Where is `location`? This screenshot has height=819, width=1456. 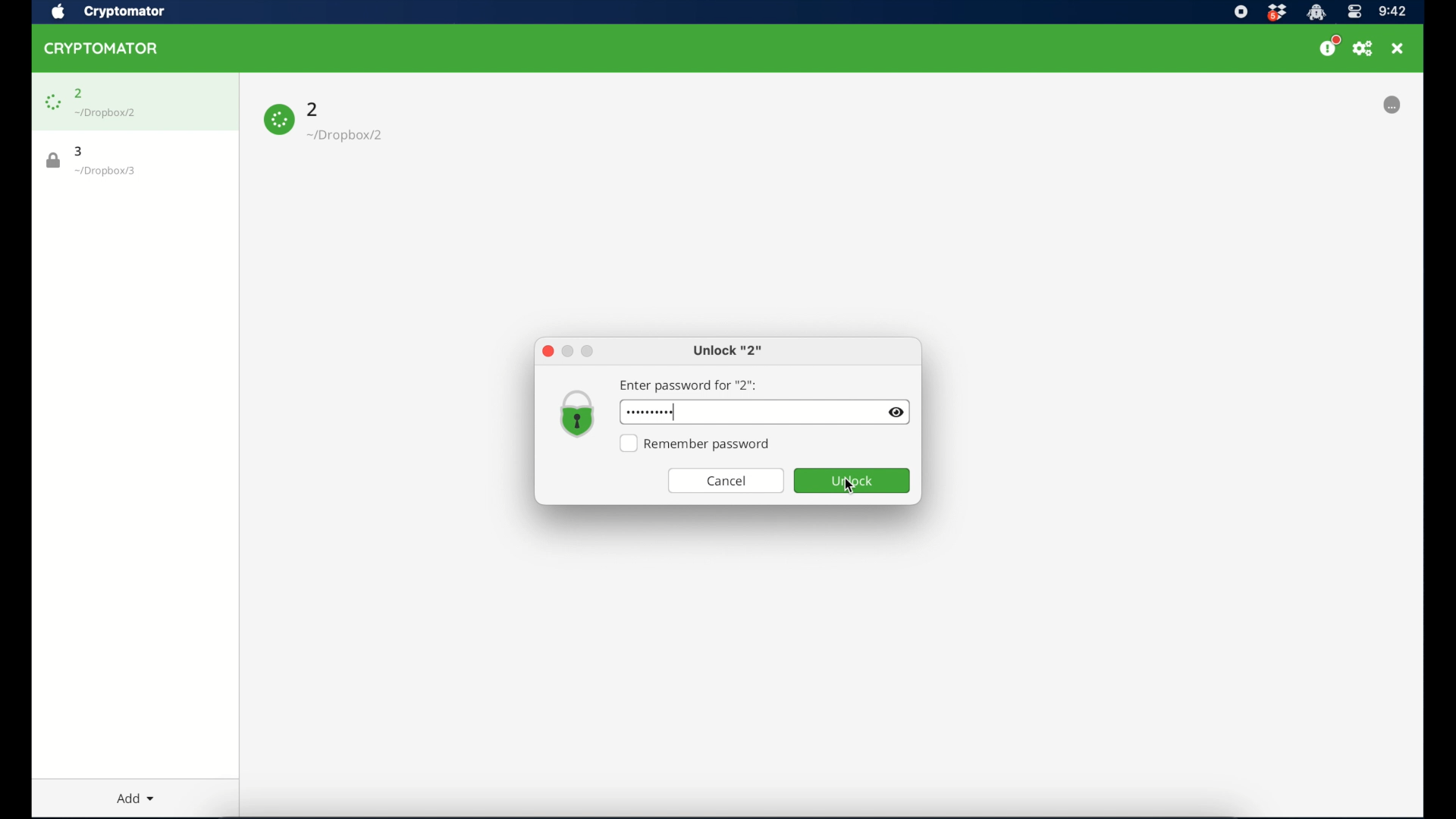 location is located at coordinates (106, 113).